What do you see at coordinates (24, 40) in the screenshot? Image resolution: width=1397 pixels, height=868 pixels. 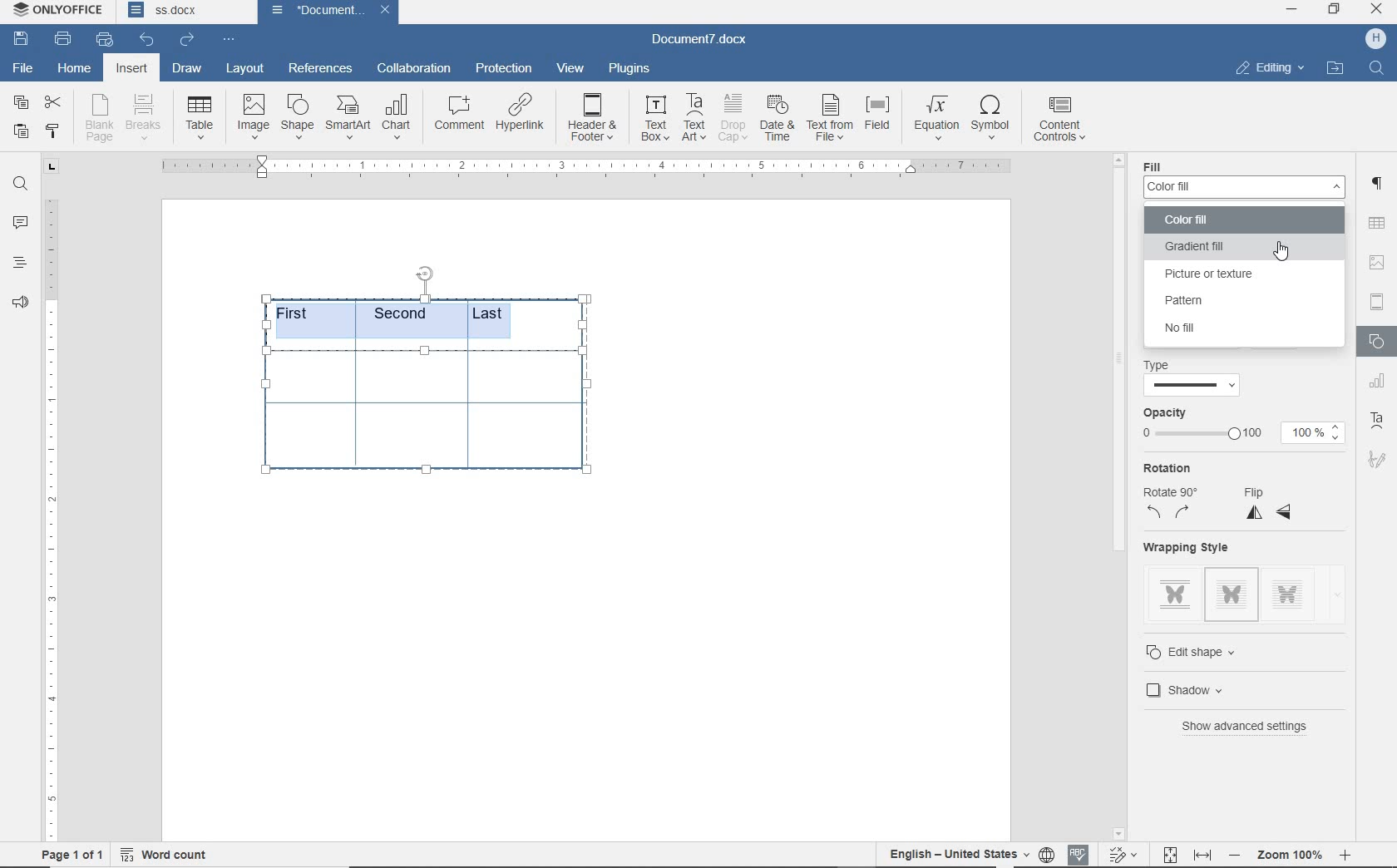 I see `save` at bounding box center [24, 40].